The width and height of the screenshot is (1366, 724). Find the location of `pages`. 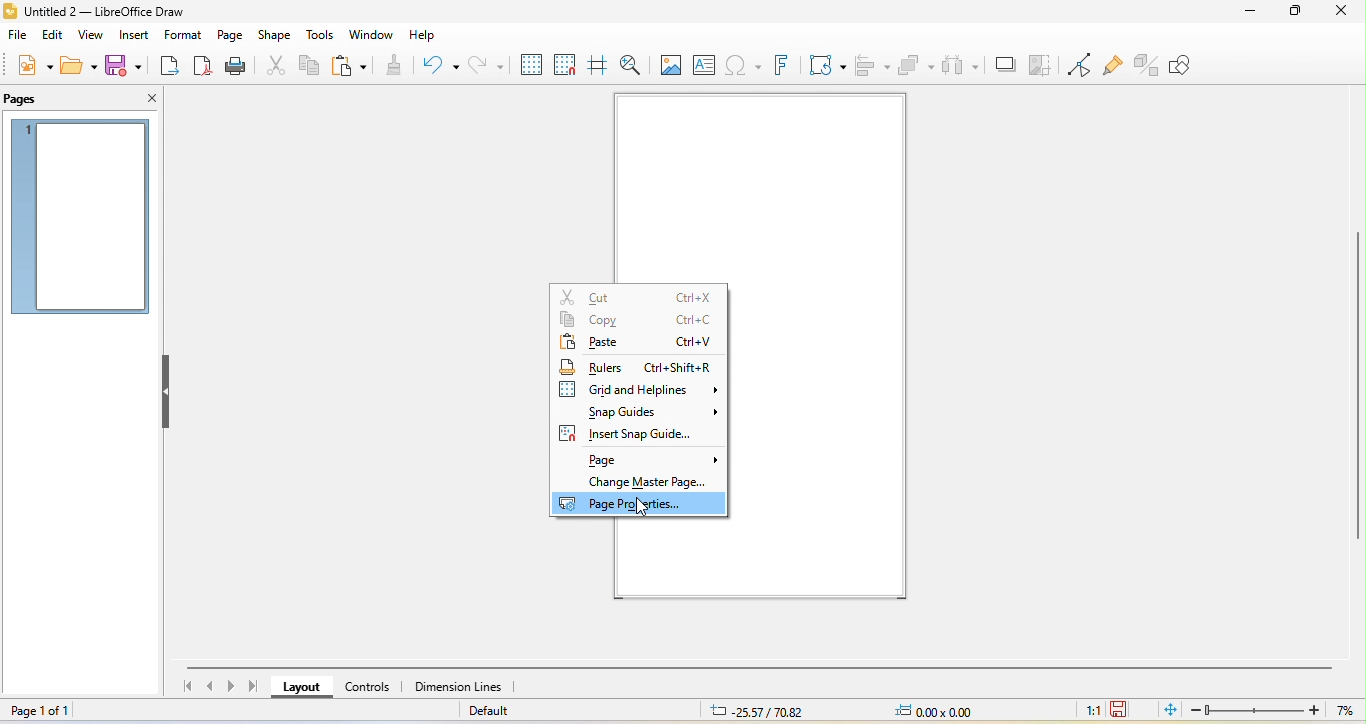

pages is located at coordinates (31, 99).